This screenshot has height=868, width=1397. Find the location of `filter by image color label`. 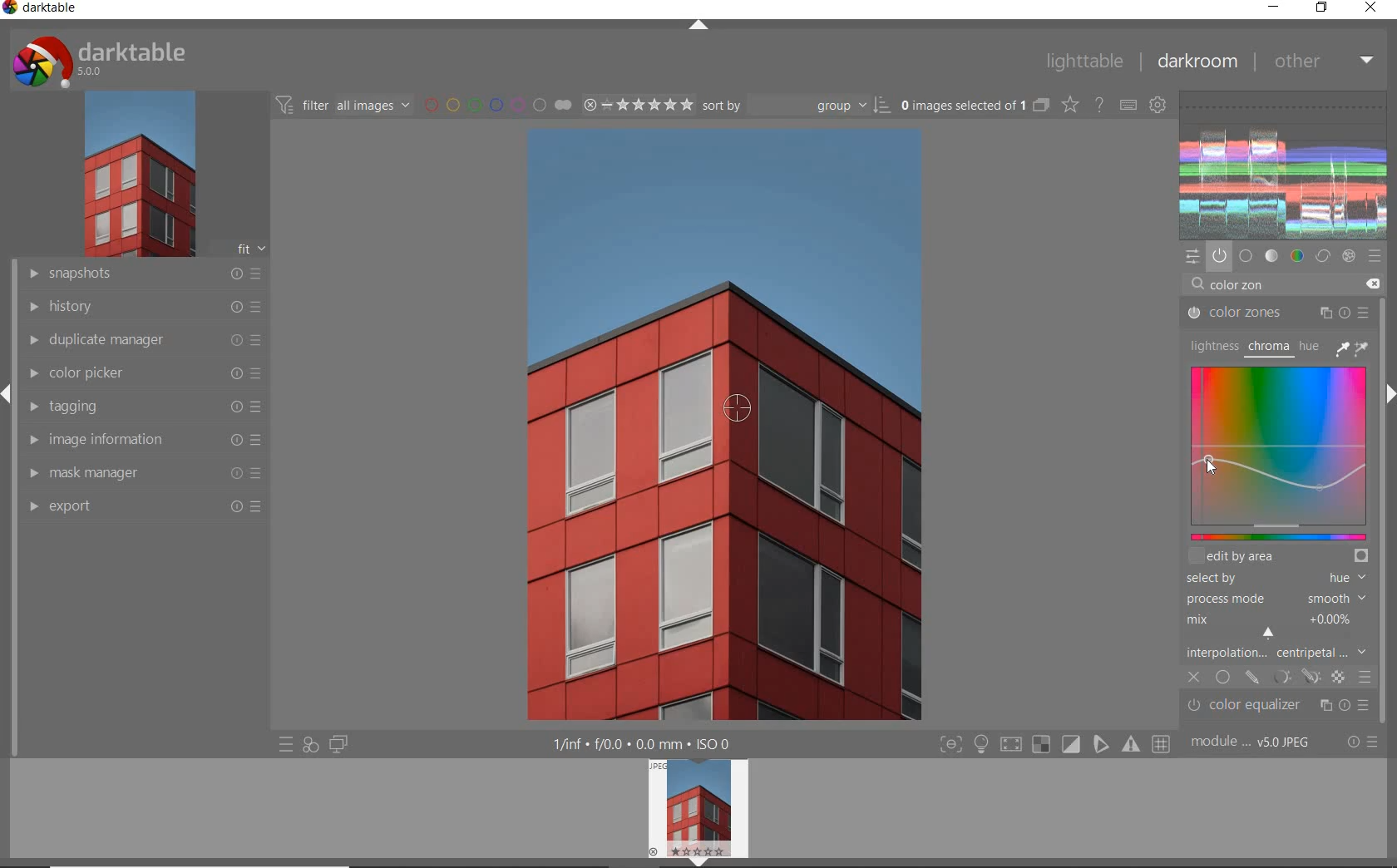

filter by image color label is located at coordinates (497, 105).